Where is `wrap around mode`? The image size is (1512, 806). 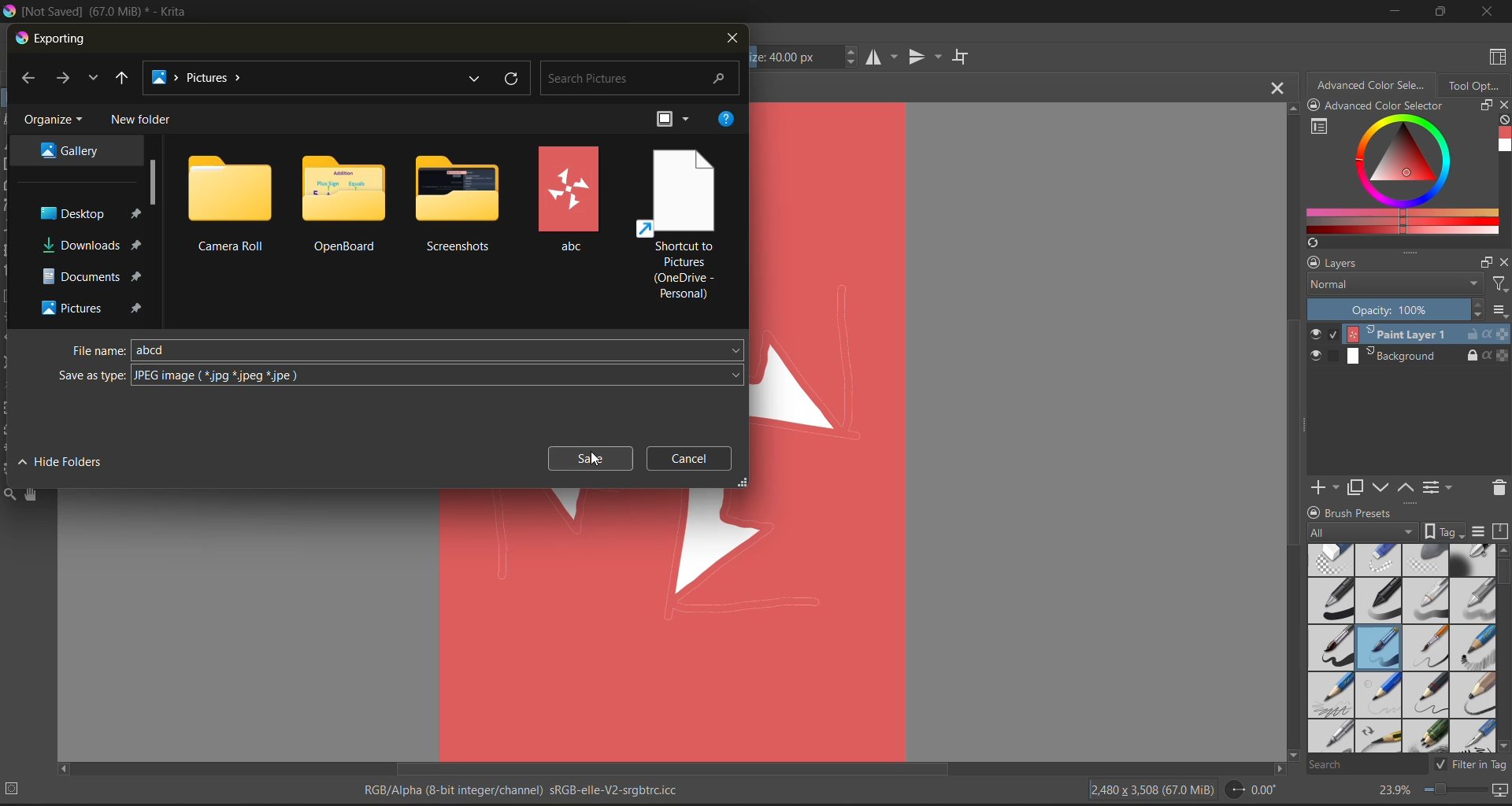
wrap around mode is located at coordinates (962, 57).